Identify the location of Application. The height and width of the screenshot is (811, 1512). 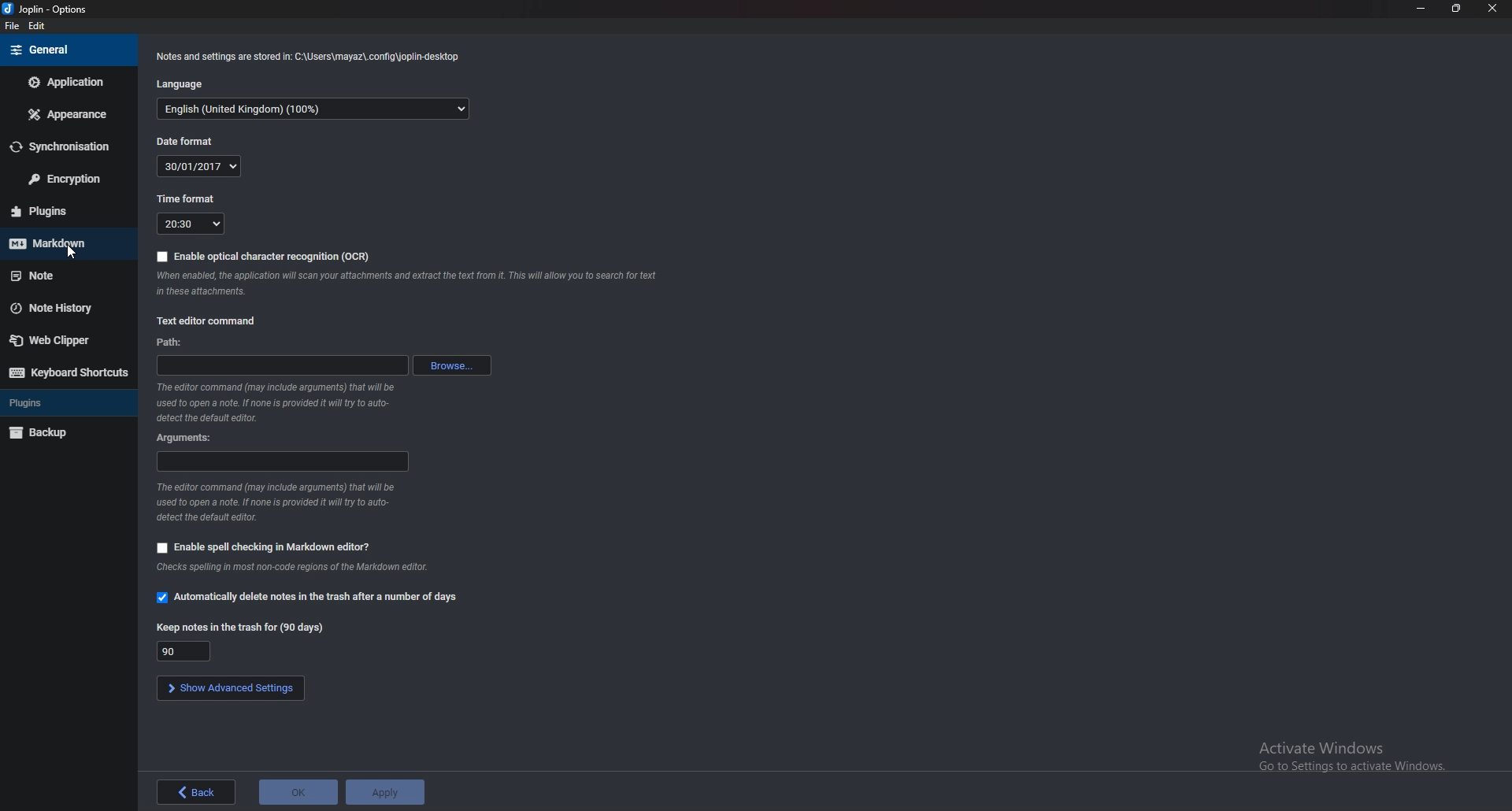
(65, 82).